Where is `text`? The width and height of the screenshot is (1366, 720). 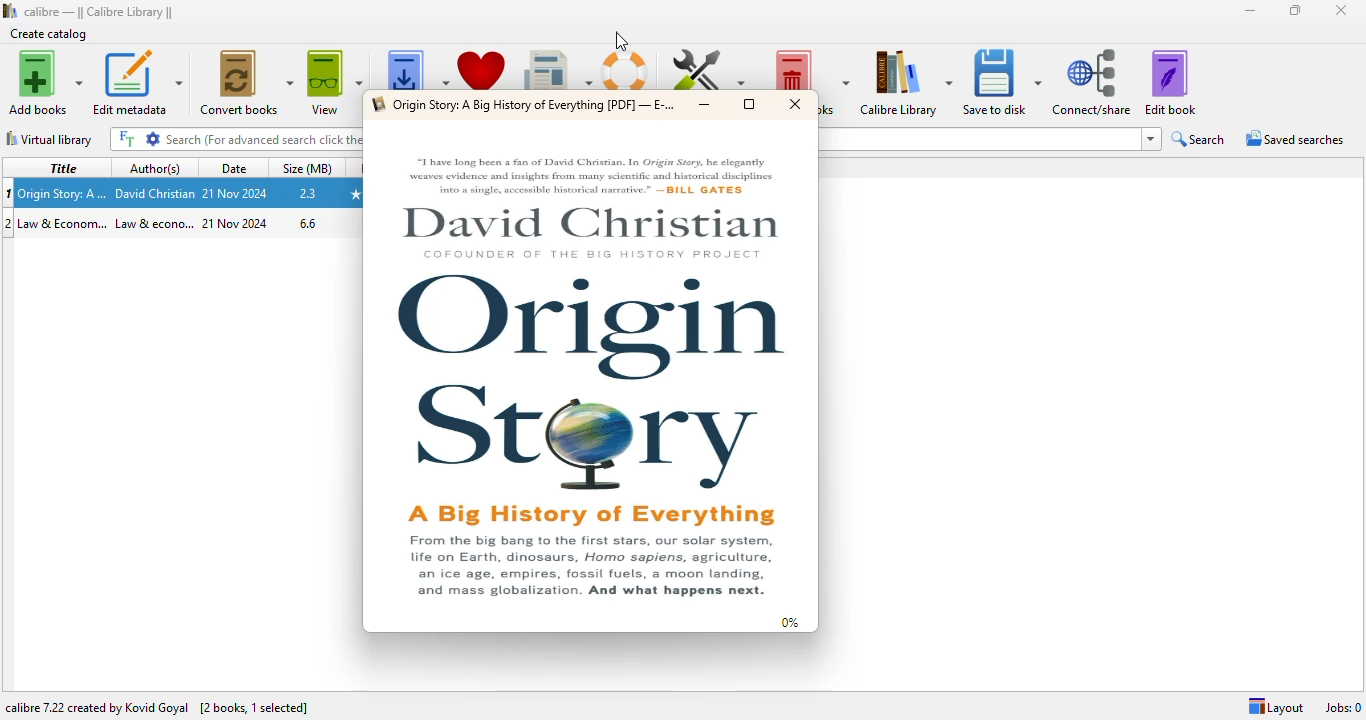
text is located at coordinates (589, 566).